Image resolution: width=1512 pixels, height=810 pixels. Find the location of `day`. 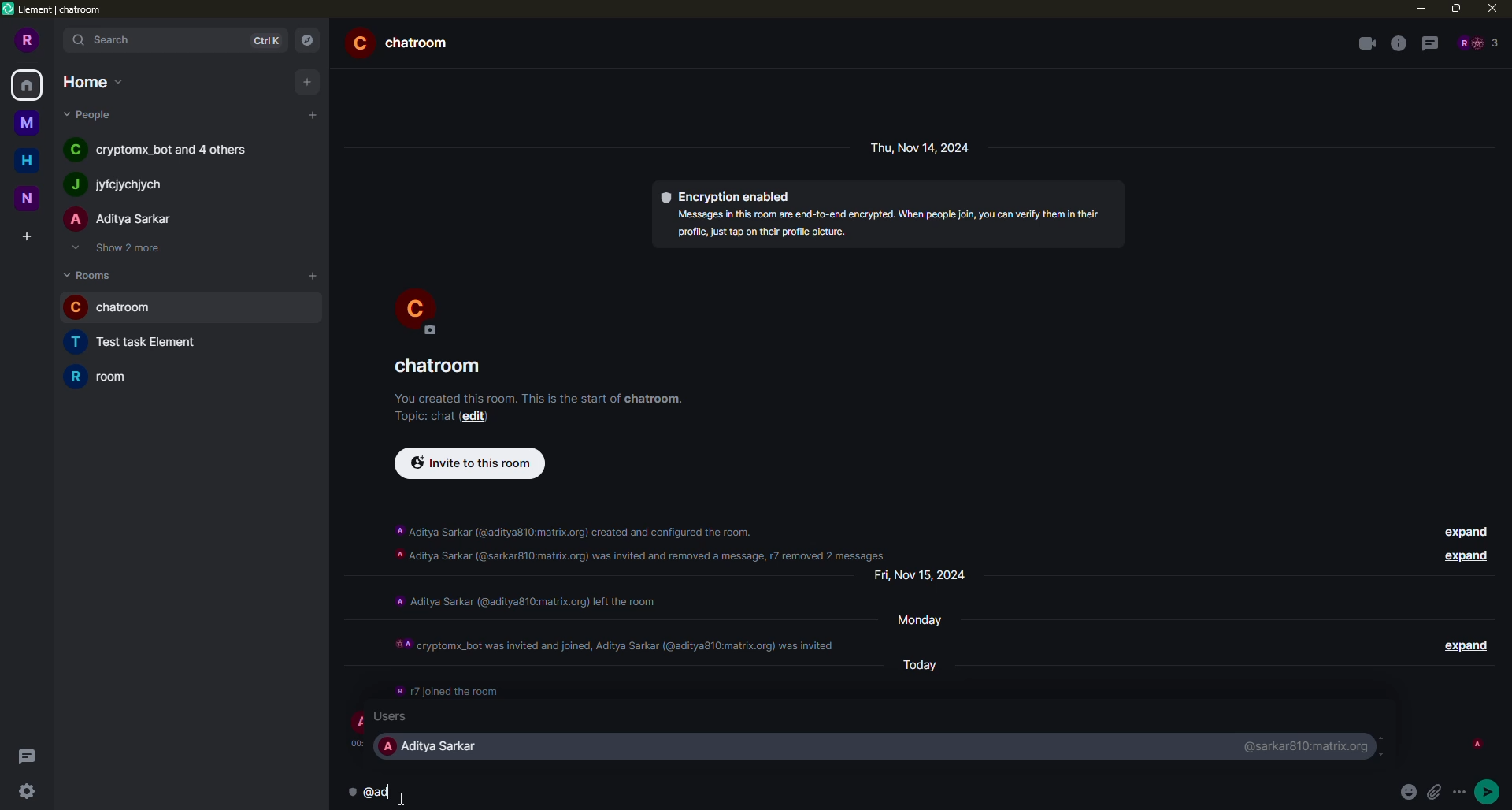

day is located at coordinates (928, 663).